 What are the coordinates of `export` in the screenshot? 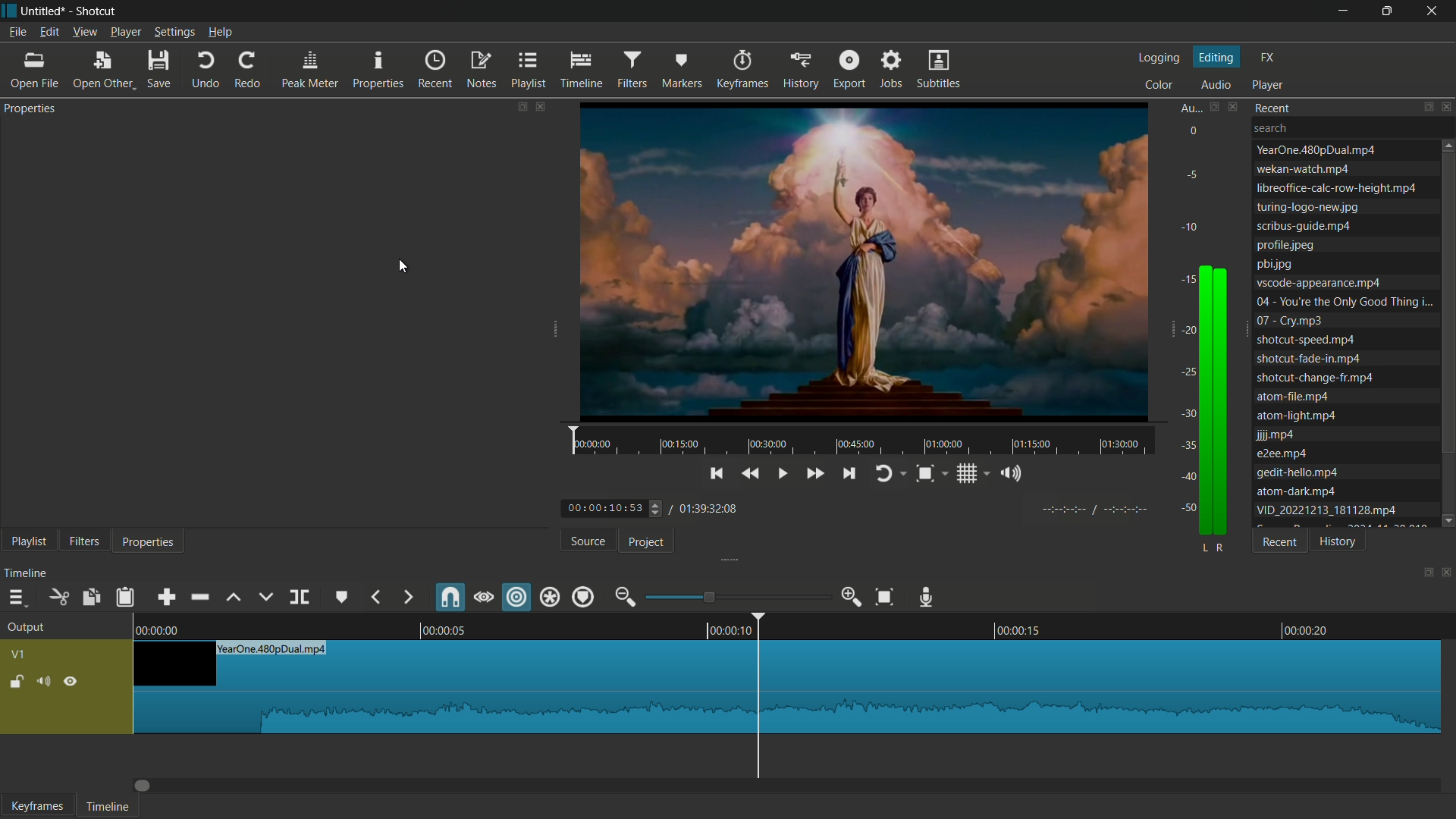 It's located at (849, 71).